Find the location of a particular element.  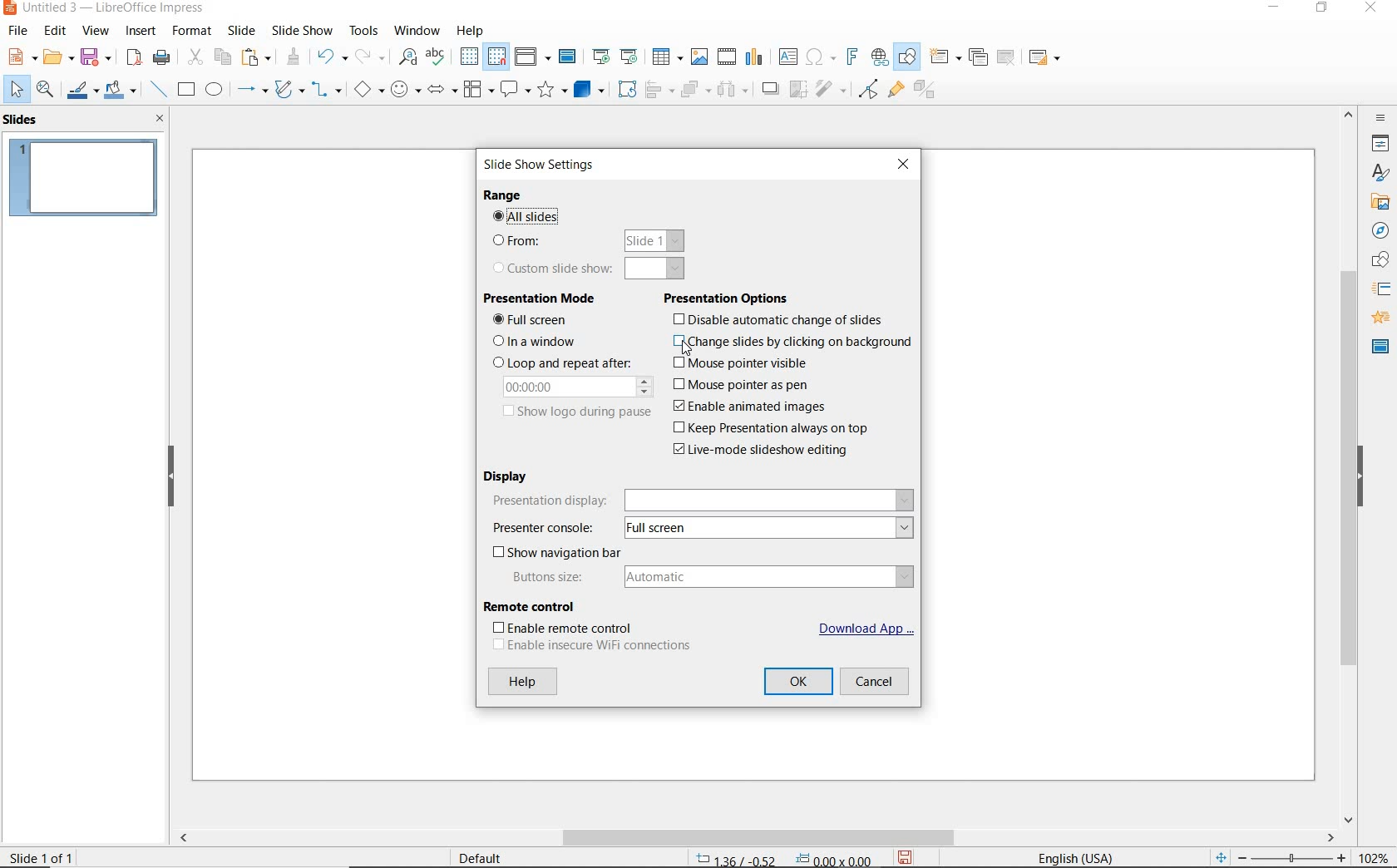

SYMBOL SHAPES is located at coordinates (404, 89).